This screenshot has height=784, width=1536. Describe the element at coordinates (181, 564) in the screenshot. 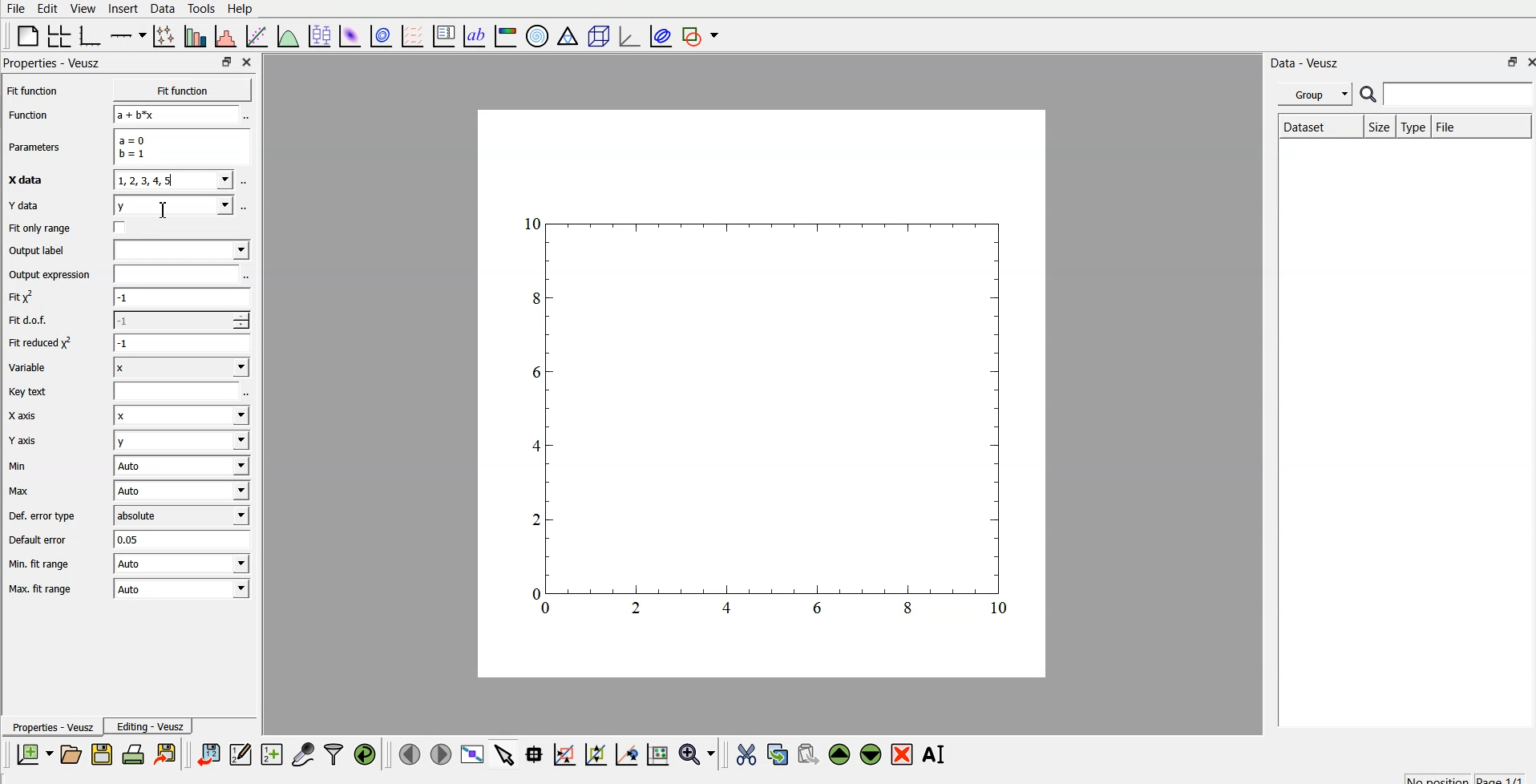

I see `| Auto` at that location.